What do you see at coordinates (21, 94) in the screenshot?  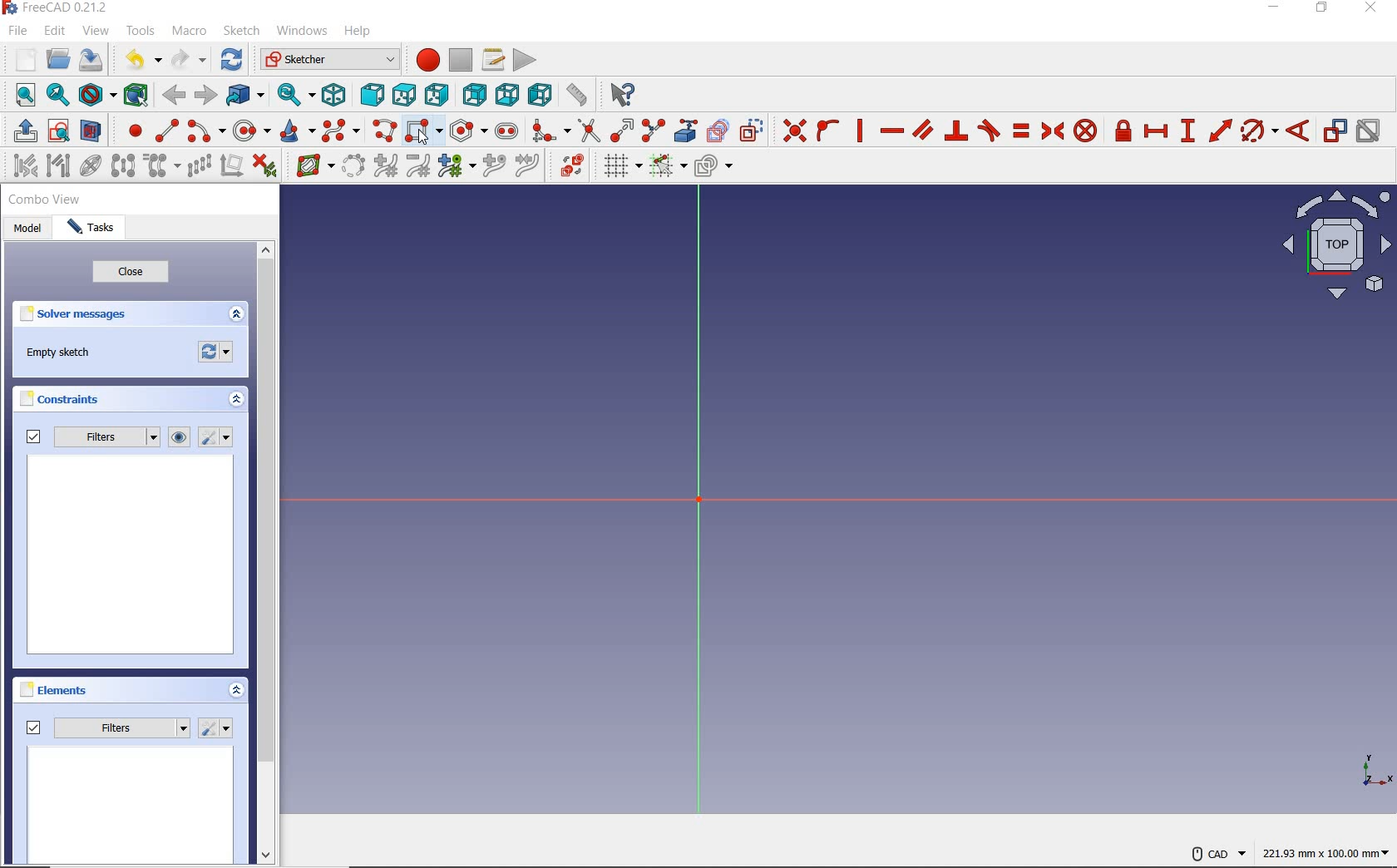 I see `fit all` at bounding box center [21, 94].